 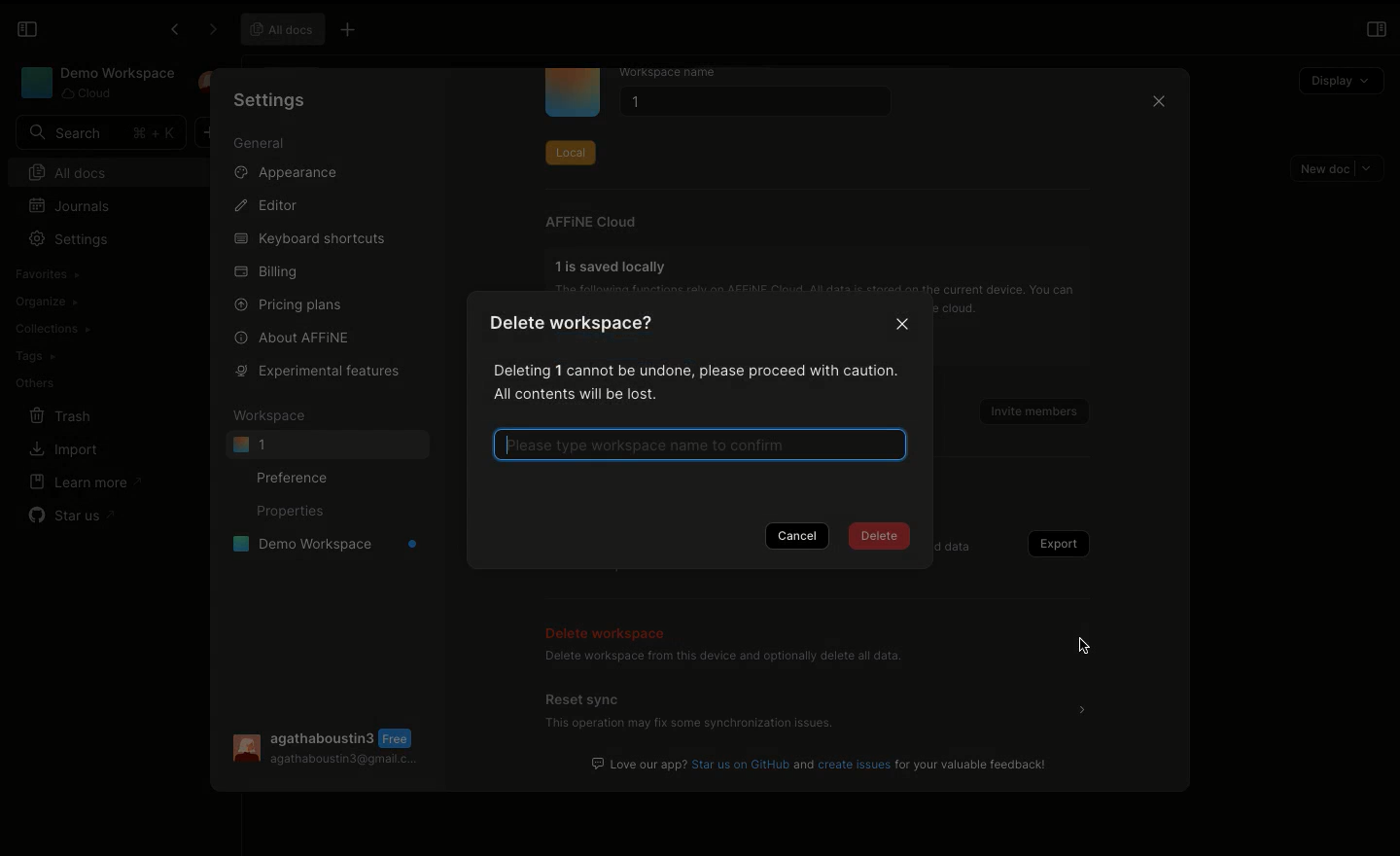 What do you see at coordinates (46, 274) in the screenshot?
I see `Favorites` at bounding box center [46, 274].